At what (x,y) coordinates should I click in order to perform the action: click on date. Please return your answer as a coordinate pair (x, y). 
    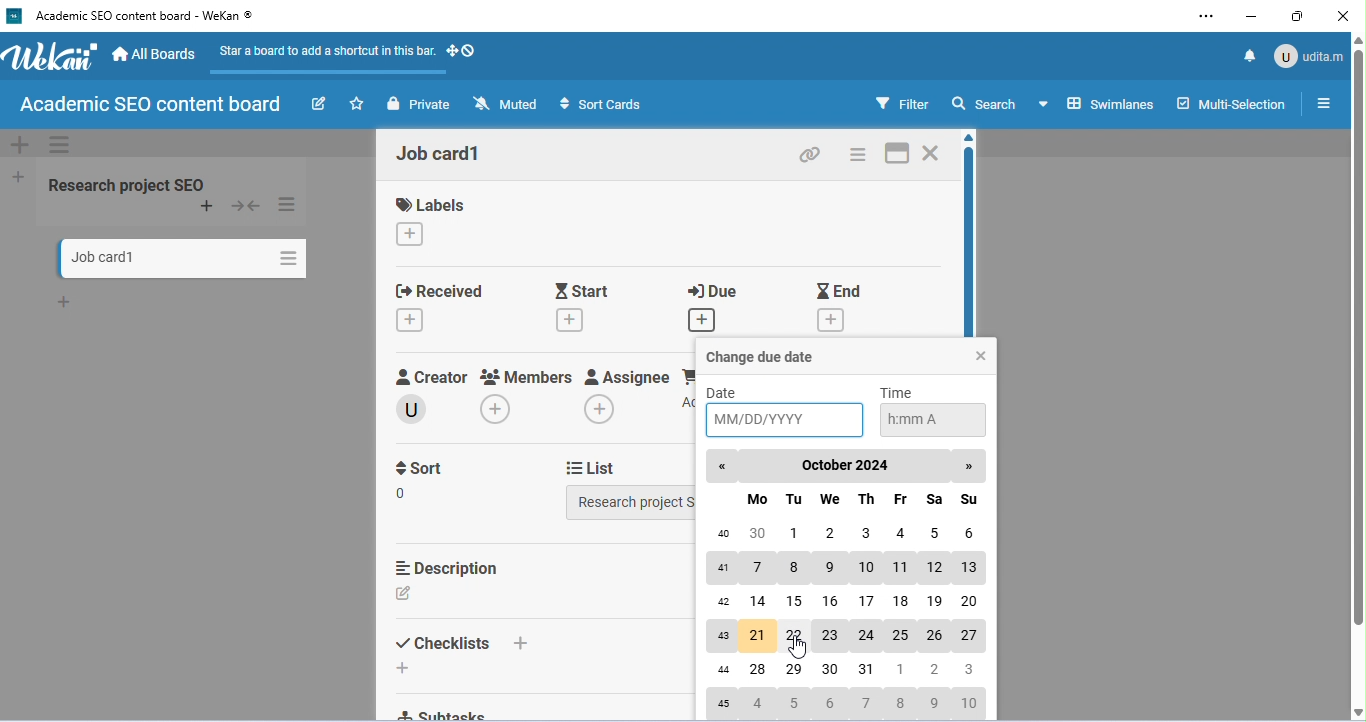
    Looking at the image, I should click on (725, 392).